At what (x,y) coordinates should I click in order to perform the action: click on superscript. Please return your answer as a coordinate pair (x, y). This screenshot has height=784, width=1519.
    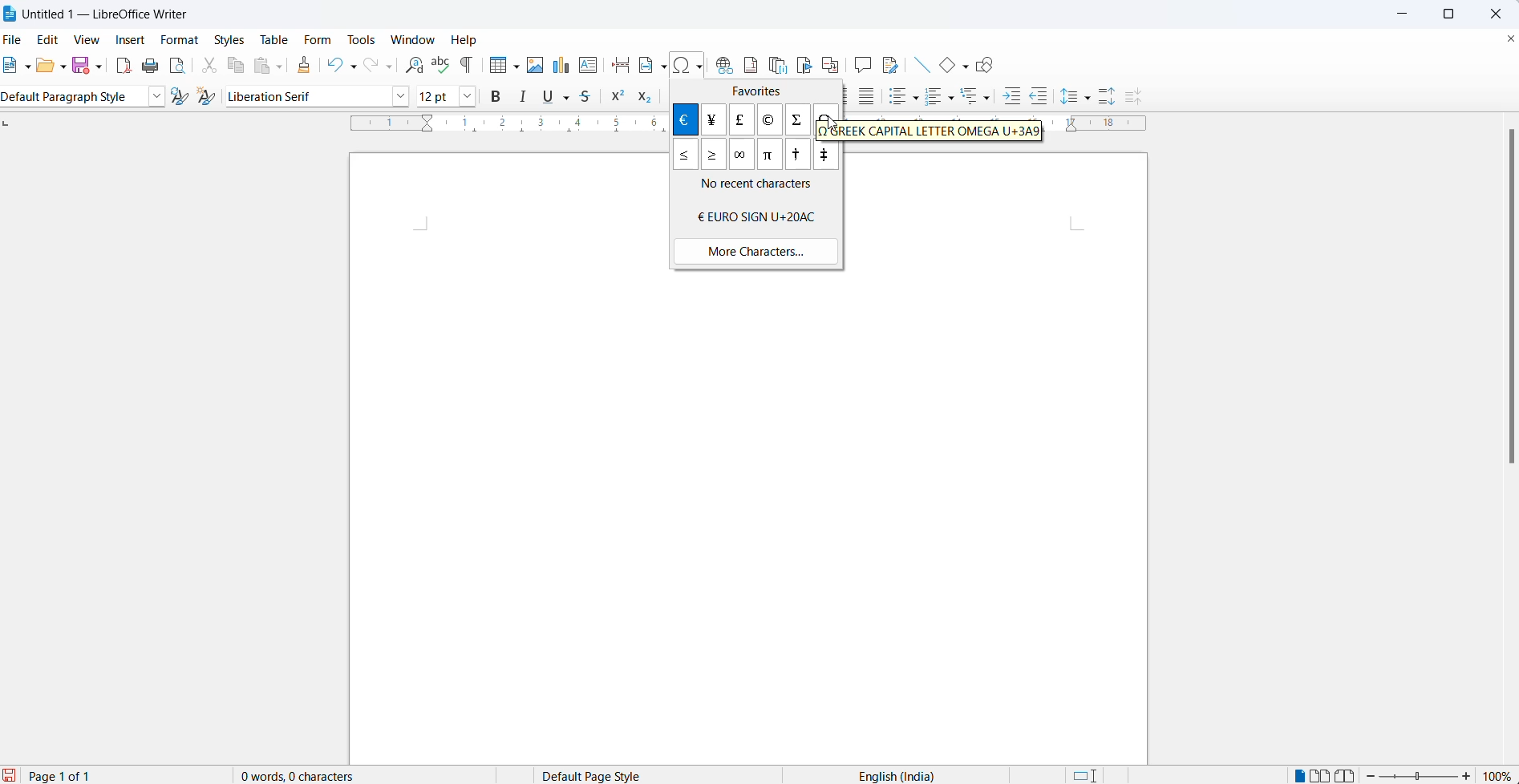
    Looking at the image, I should click on (618, 98).